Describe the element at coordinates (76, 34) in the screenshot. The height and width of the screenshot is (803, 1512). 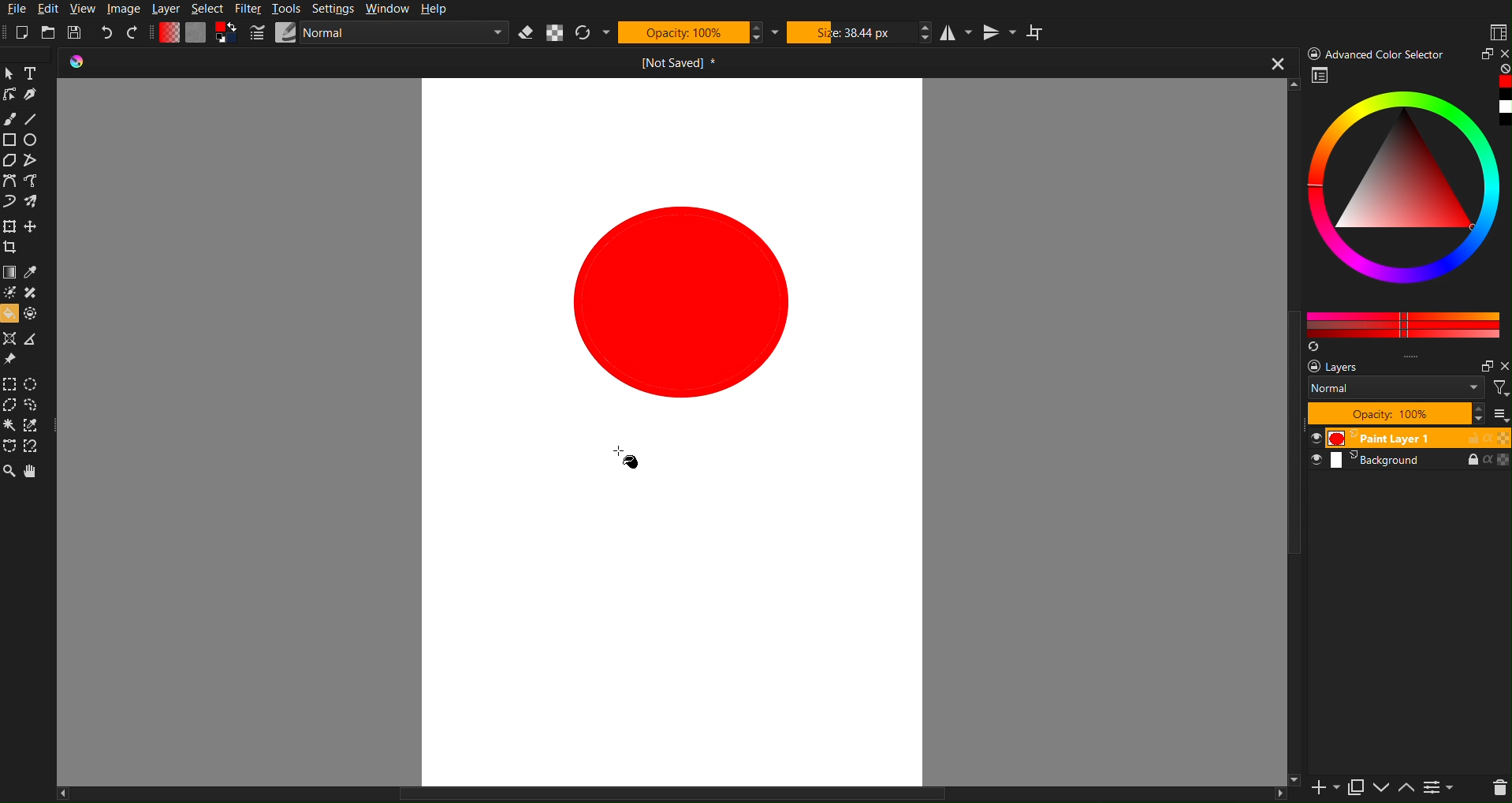
I see `Save` at that location.